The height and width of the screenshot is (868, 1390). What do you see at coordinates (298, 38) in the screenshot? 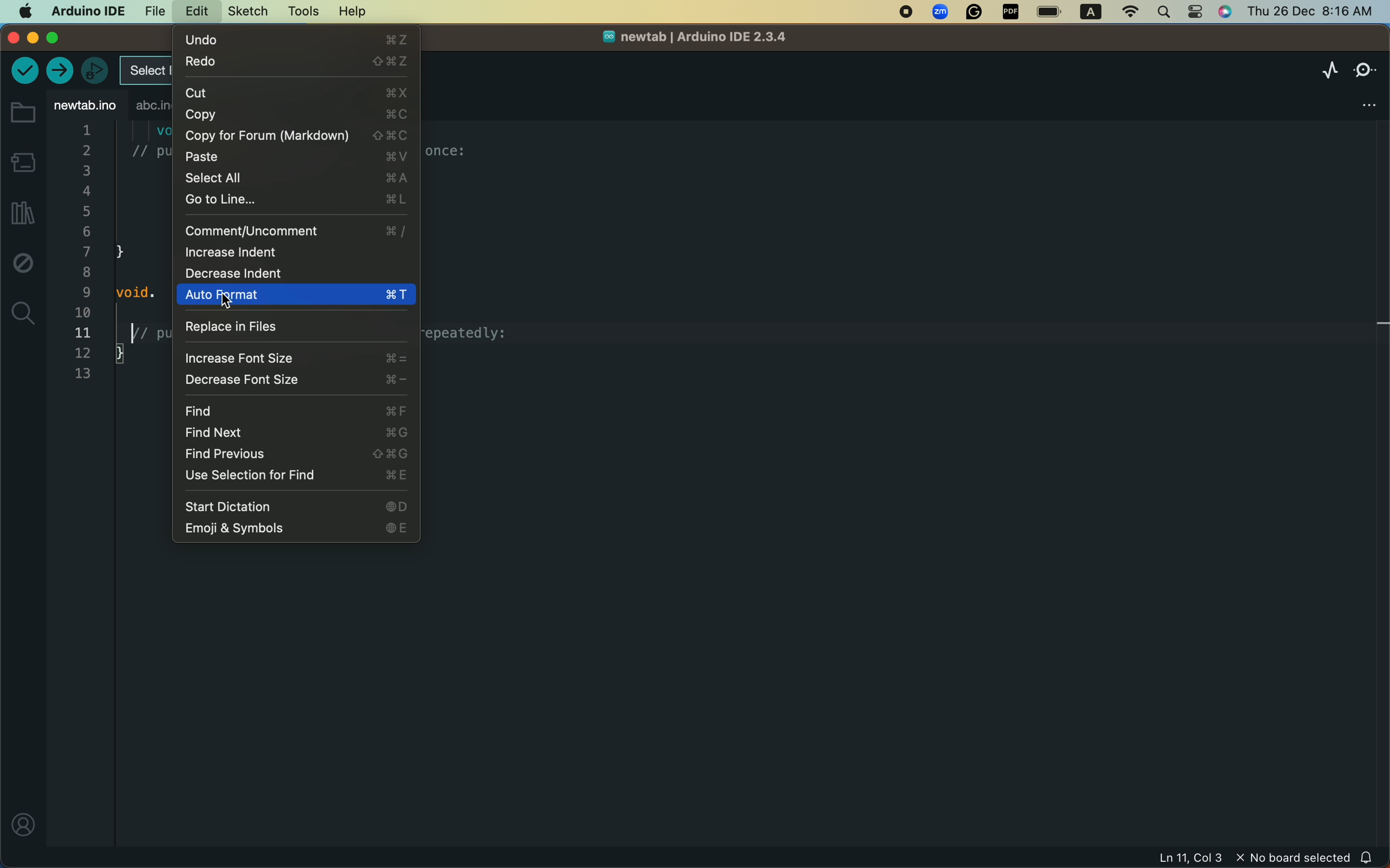
I see `undo` at bounding box center [298, 38].